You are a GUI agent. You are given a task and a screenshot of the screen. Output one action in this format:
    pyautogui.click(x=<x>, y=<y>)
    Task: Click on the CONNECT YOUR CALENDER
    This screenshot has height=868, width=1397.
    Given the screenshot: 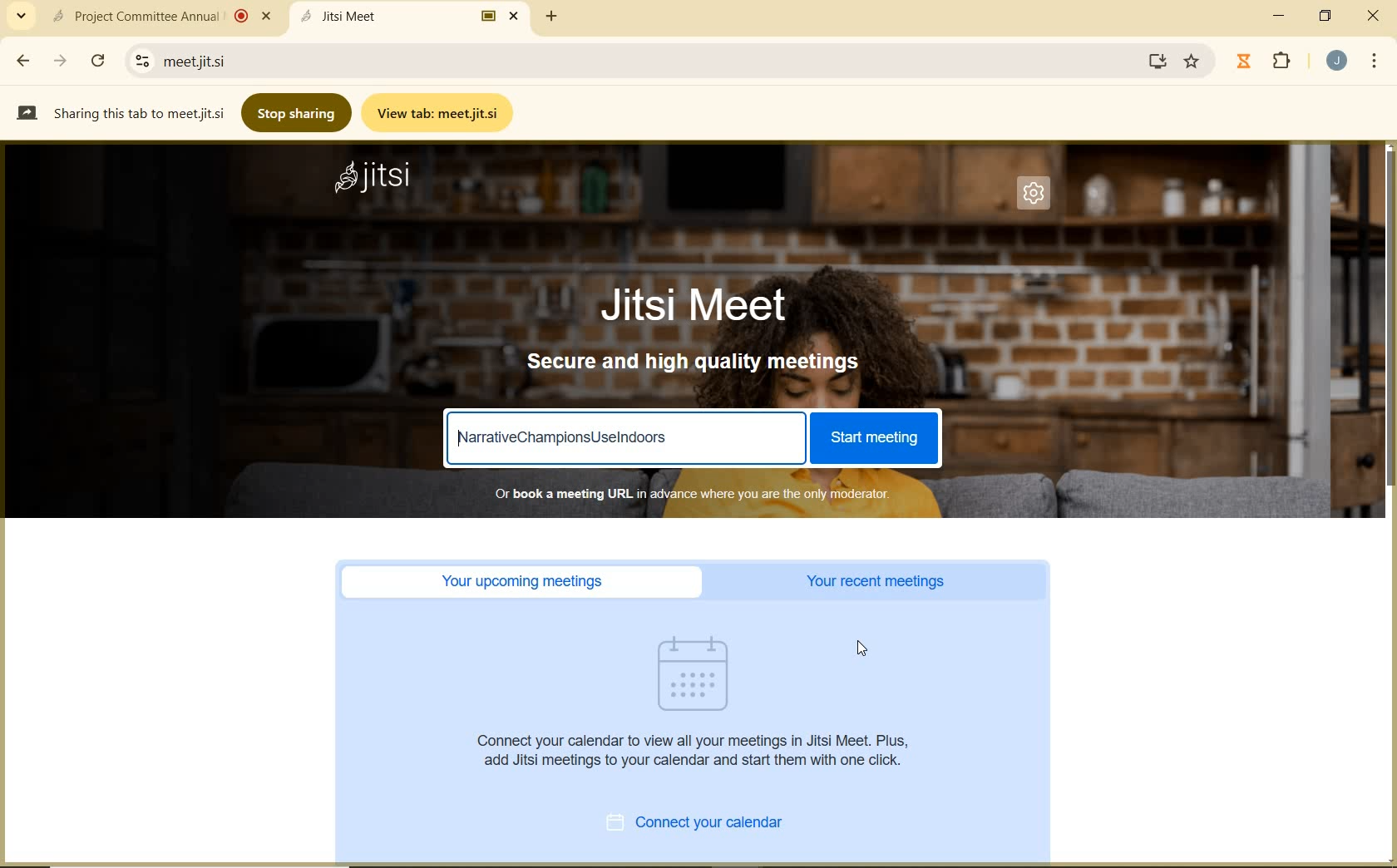 What is the action you would take?
    pyautogui.click(x=713, y=825)
    